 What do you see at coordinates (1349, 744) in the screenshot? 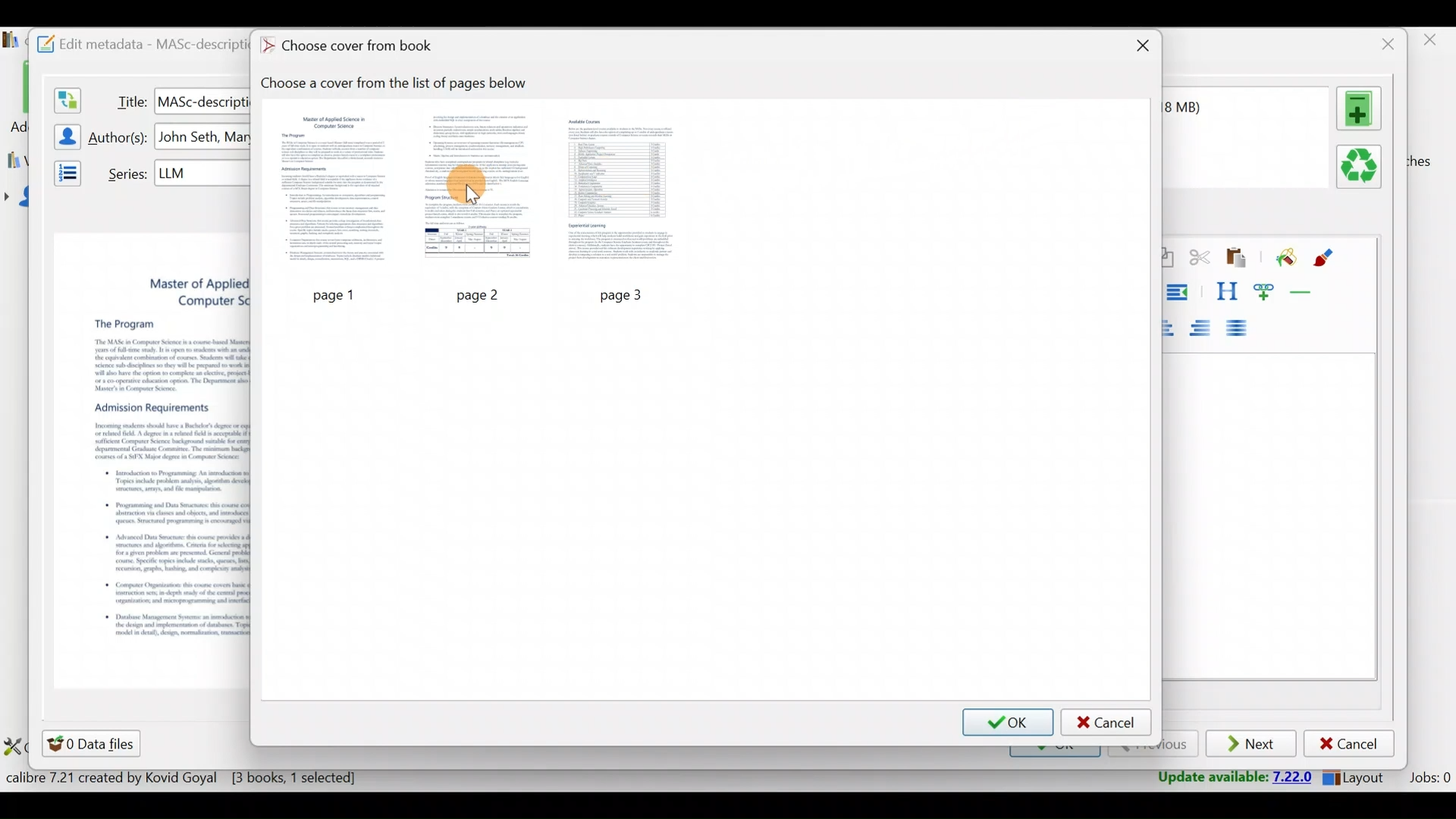
I see `Cancel` at bounding box center [1349, 744].